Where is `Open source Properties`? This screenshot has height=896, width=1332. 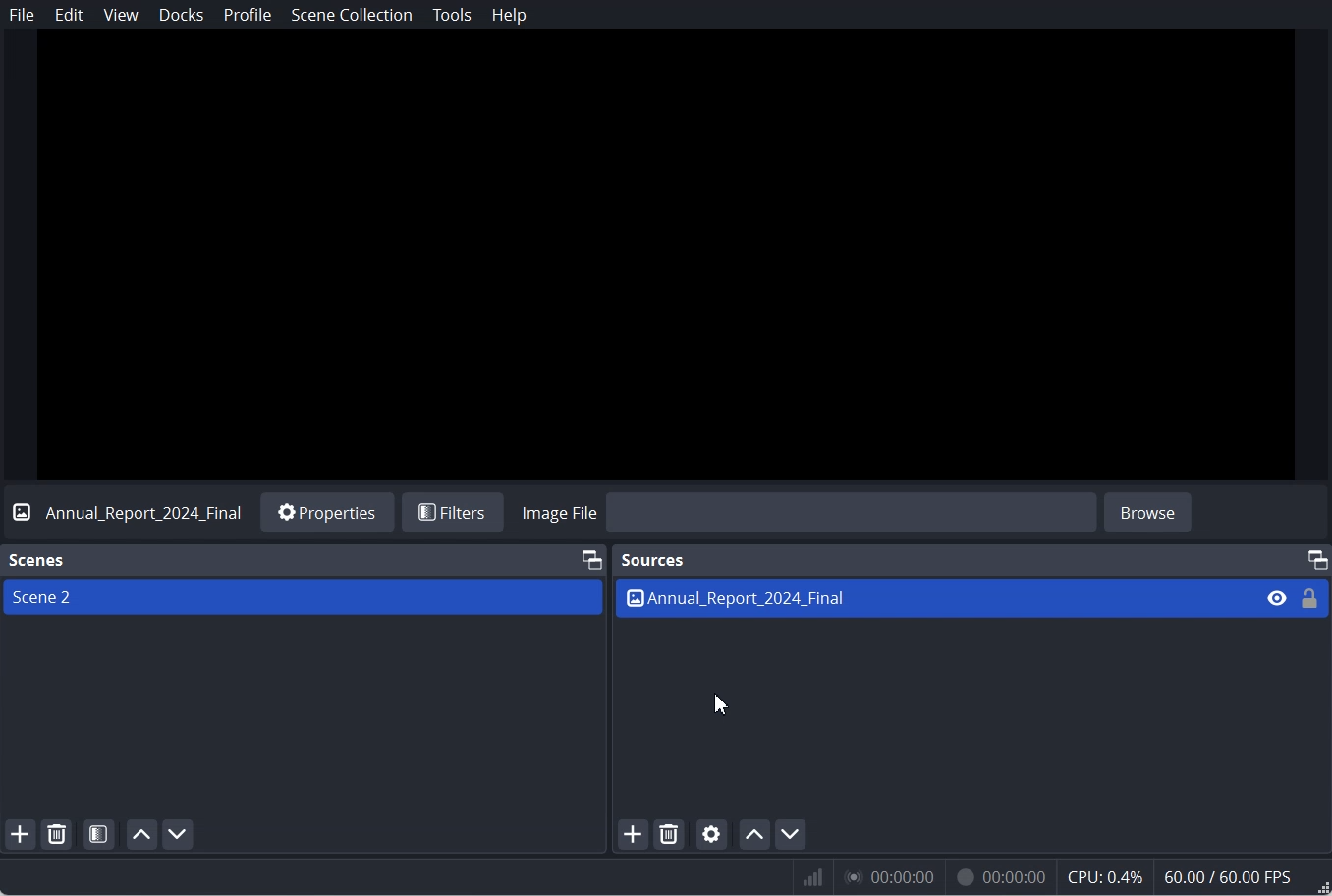
Open source Properties is located at coordinates (711, 833).